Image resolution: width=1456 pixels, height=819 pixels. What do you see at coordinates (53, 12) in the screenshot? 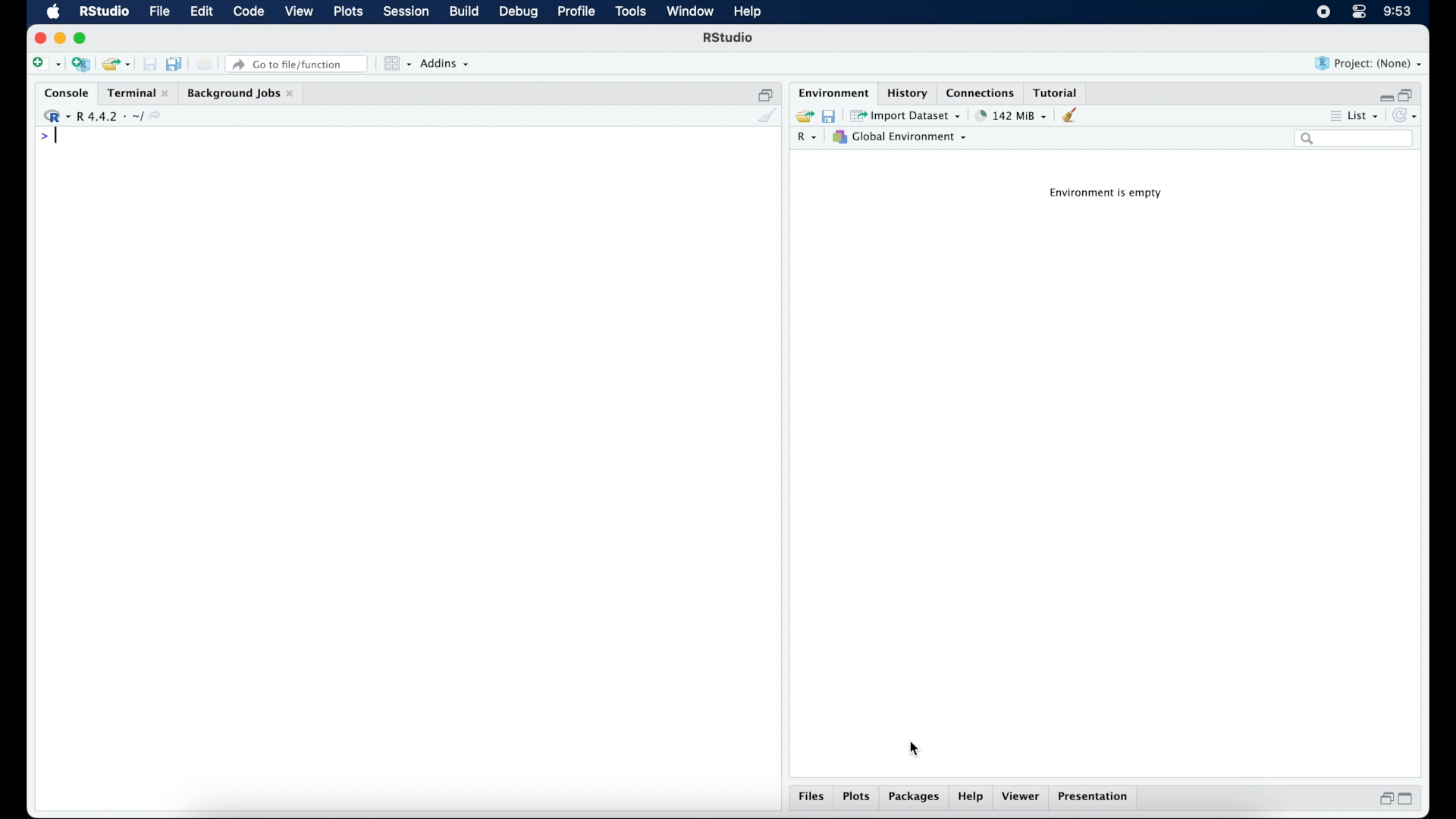
I see `macOS ` at bounding box center [53, 12].